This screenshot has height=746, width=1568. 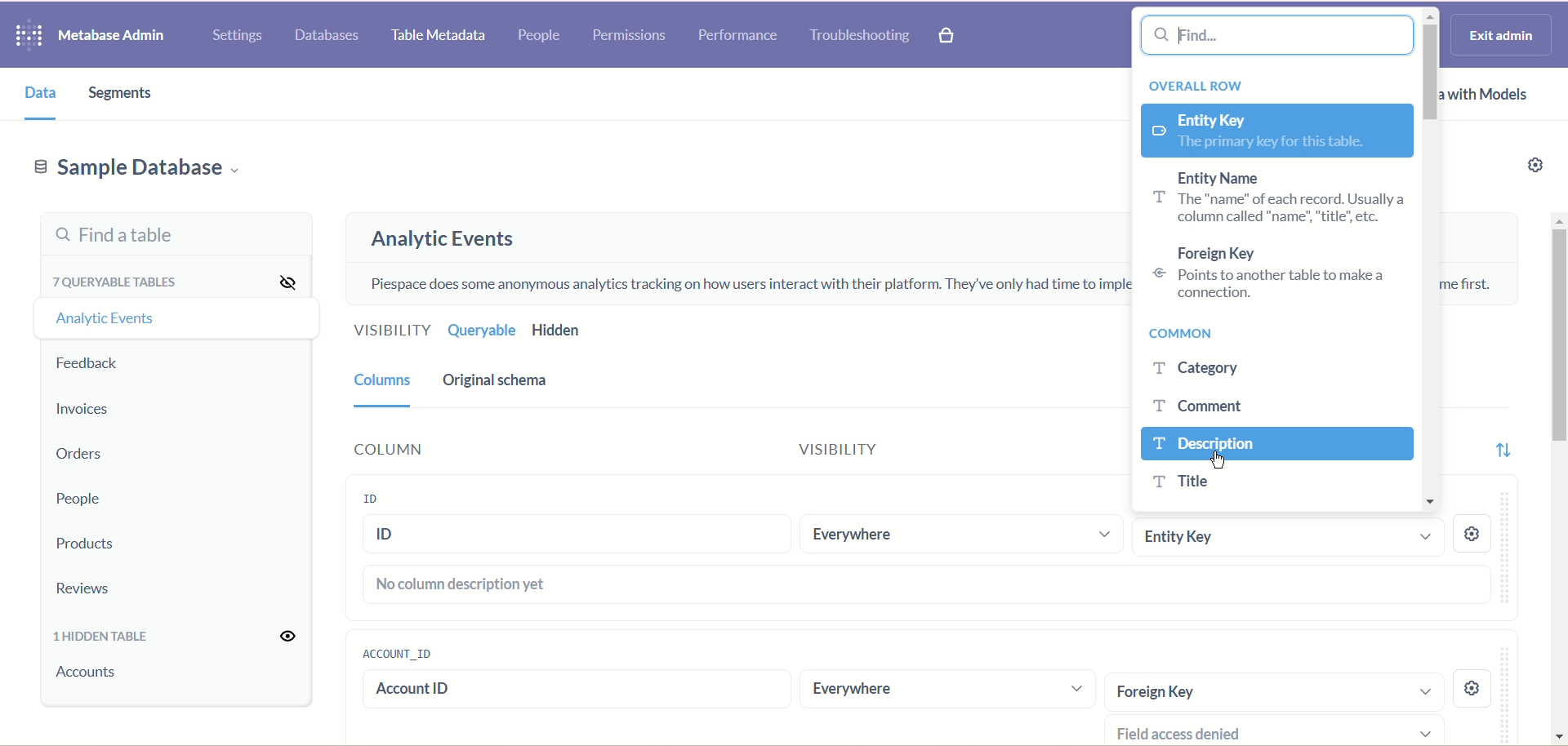 I want to click on overall flow, so click(x=1193, y=83).